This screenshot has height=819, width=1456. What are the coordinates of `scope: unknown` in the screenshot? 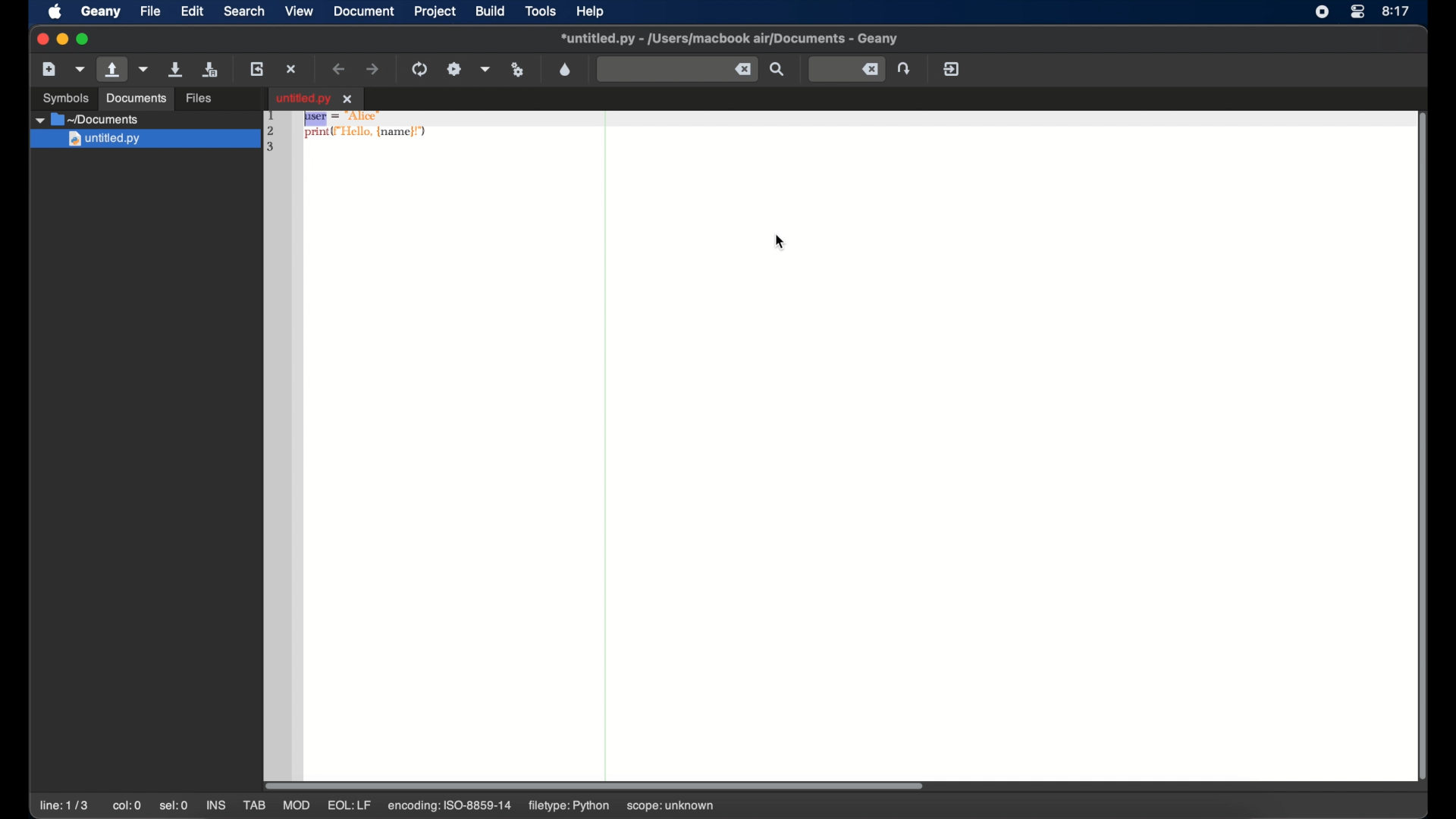 It's located at (676, 807).